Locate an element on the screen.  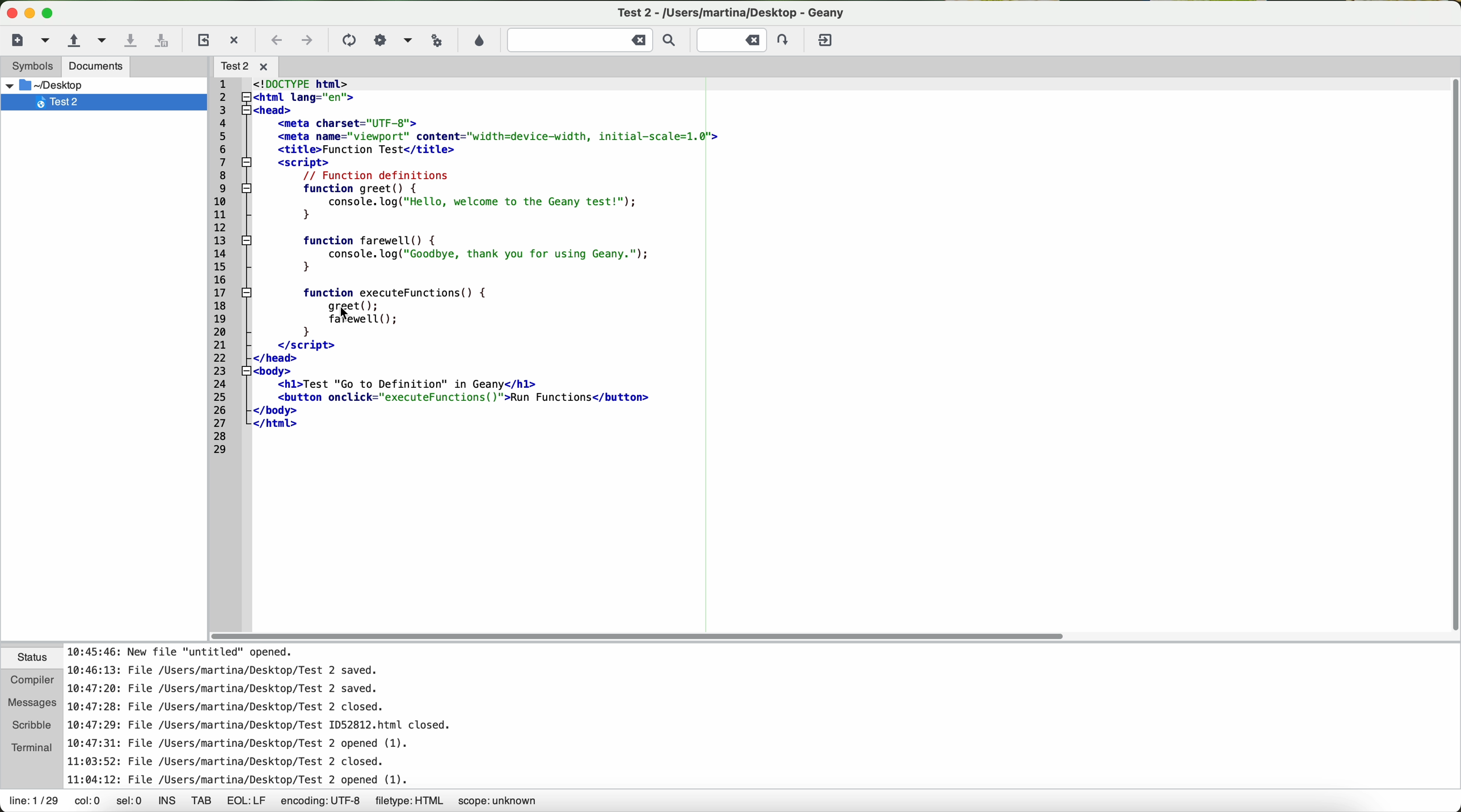
run or view the current file is located at coordinates (434, 40).